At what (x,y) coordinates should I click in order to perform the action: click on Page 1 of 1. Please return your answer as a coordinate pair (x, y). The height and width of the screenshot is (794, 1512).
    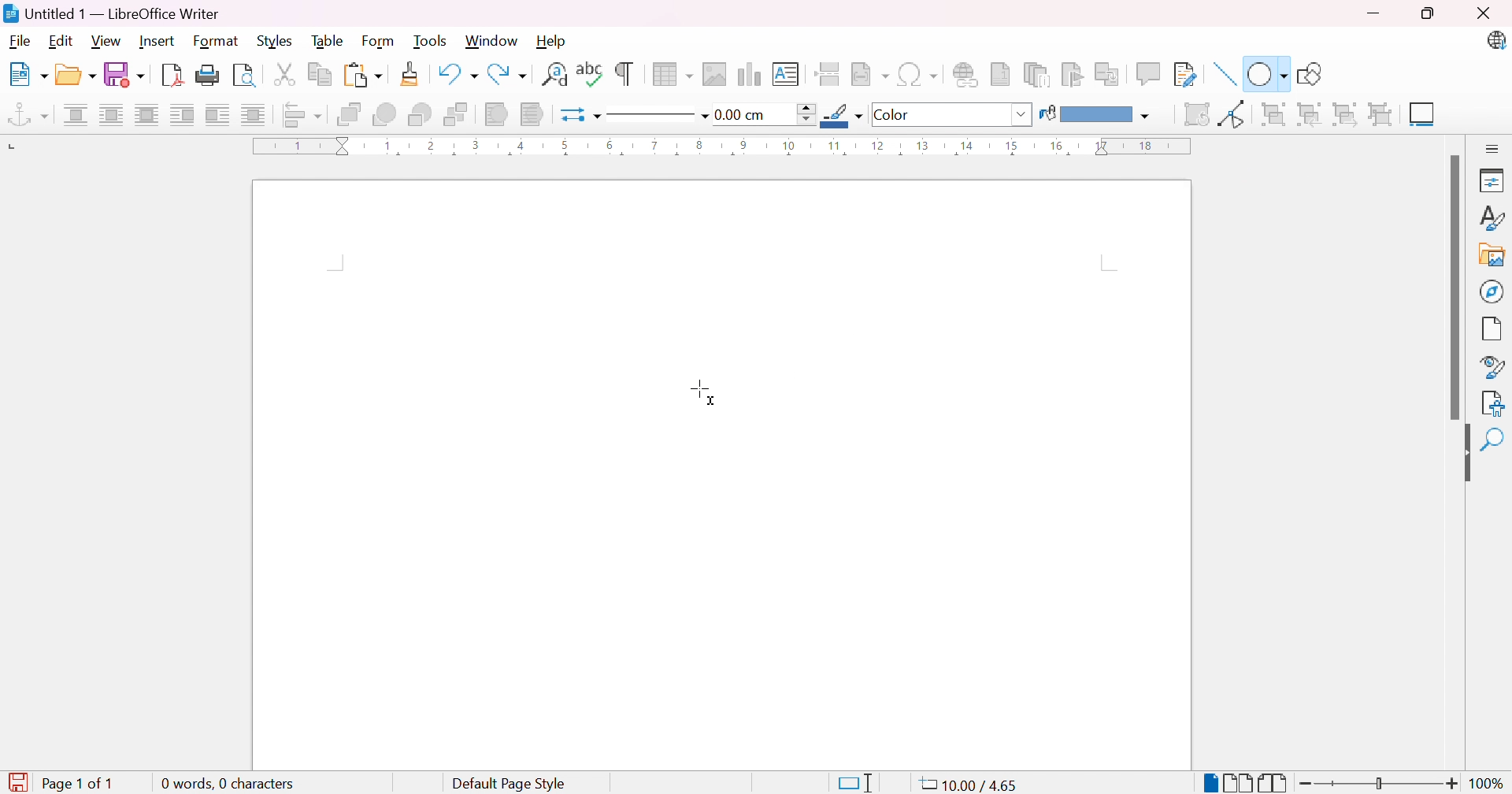
    Looking at the image, I should click on (84, 783).